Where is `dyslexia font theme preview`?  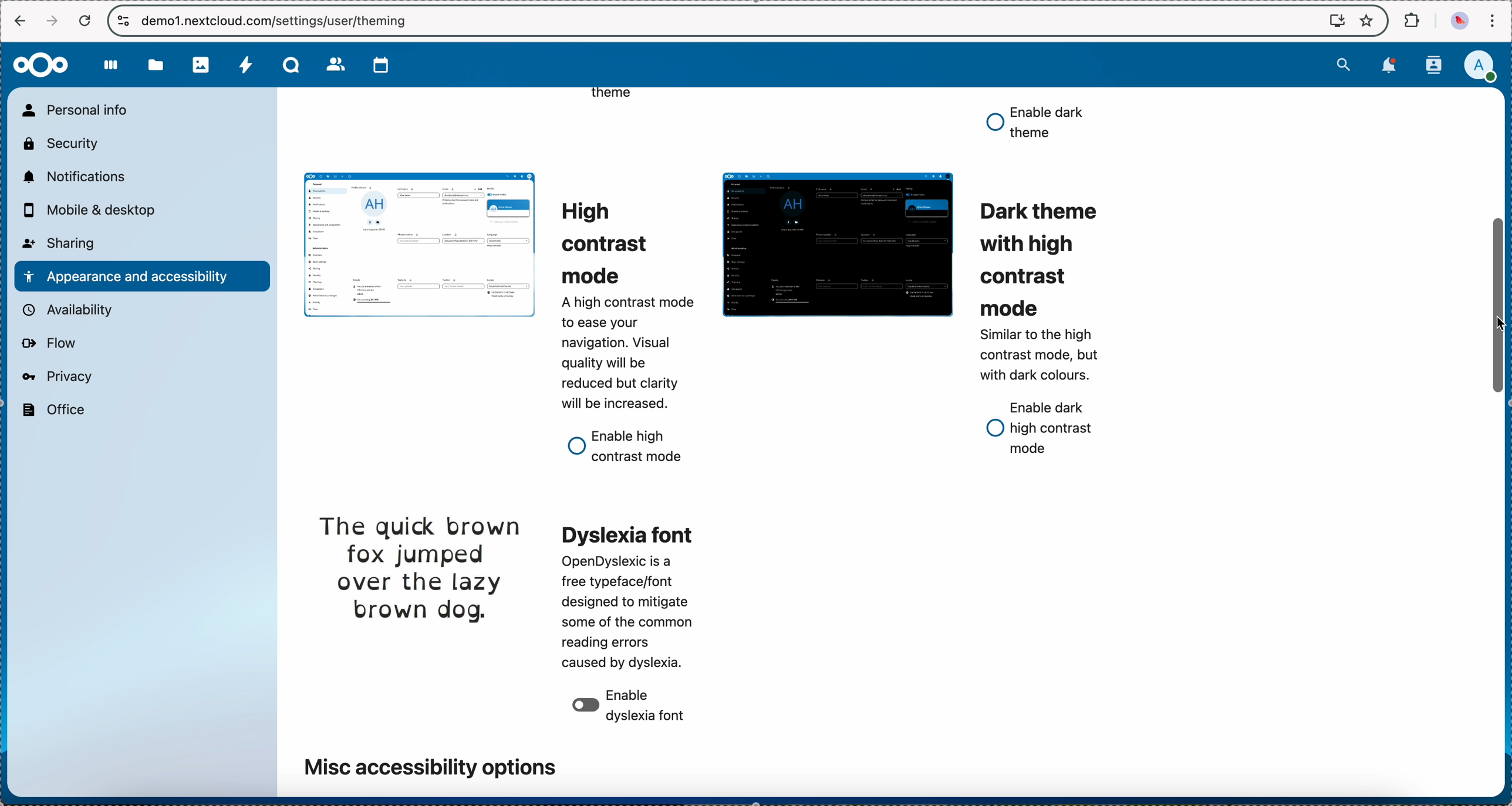
dyslexia font theme preview is located at coordinates (420, 569).